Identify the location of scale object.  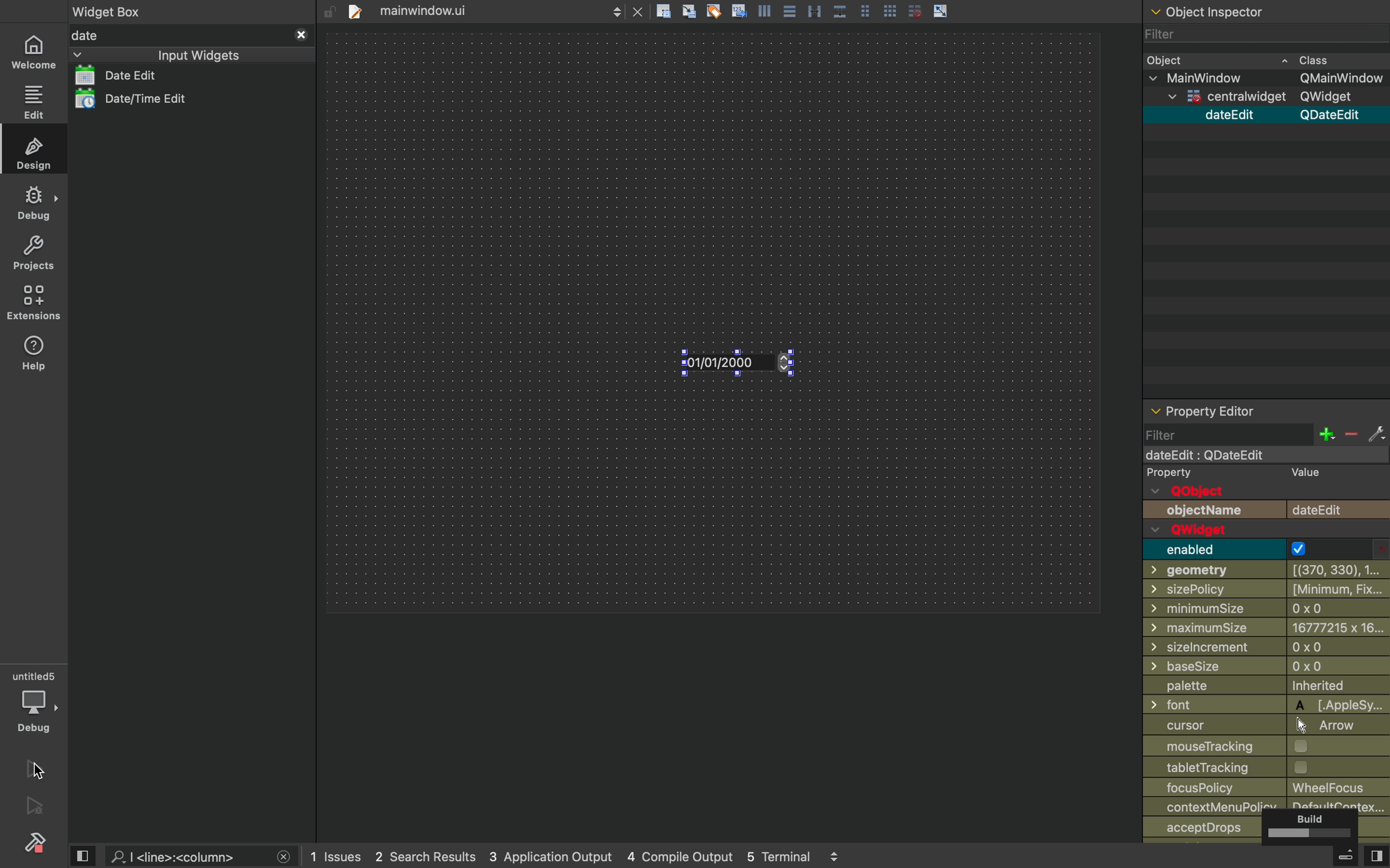
(941, 10).